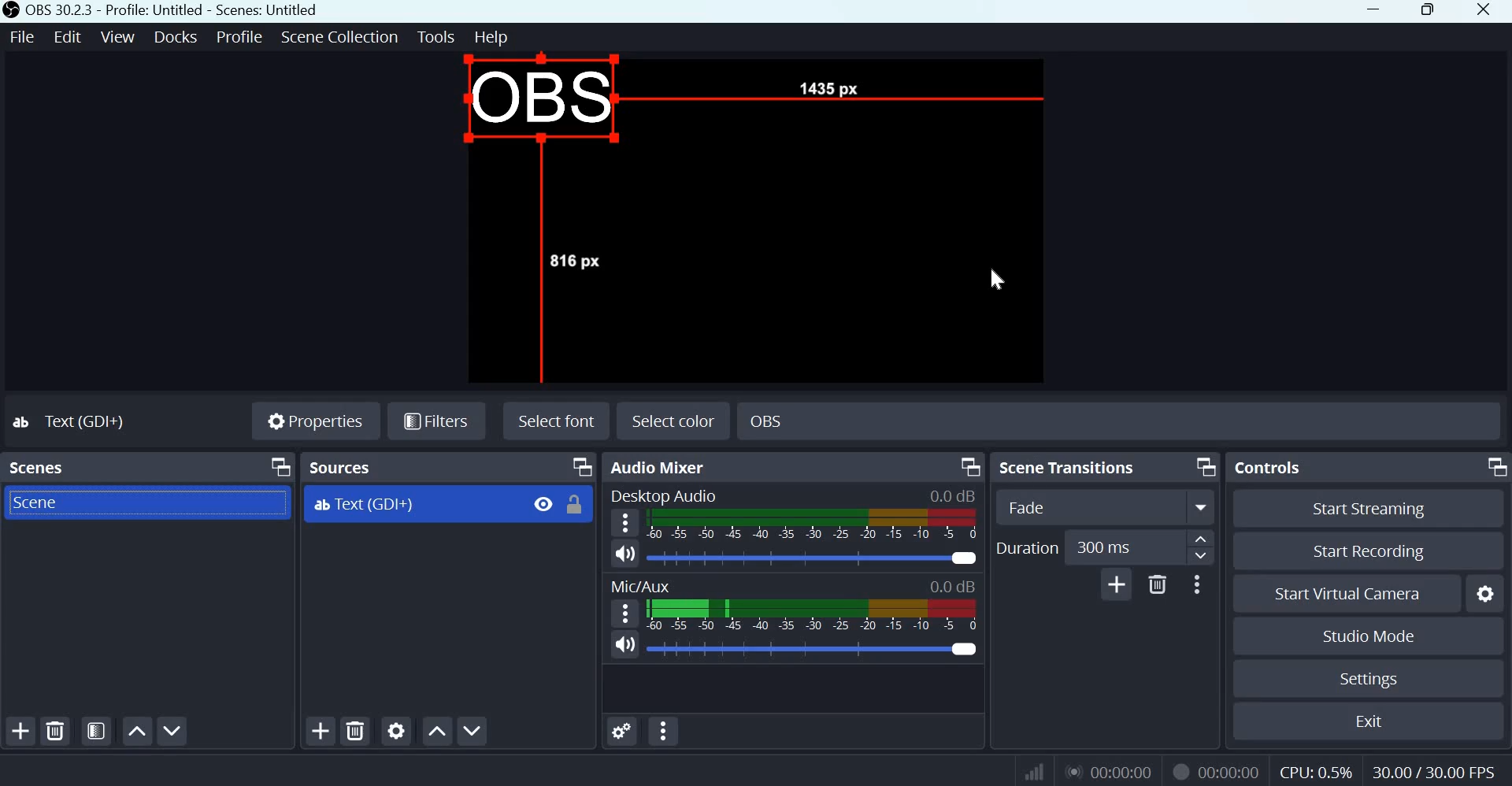 The width and height of the screenshot is (1512, 786). I want to click on Start recording, so click(1364, 552).